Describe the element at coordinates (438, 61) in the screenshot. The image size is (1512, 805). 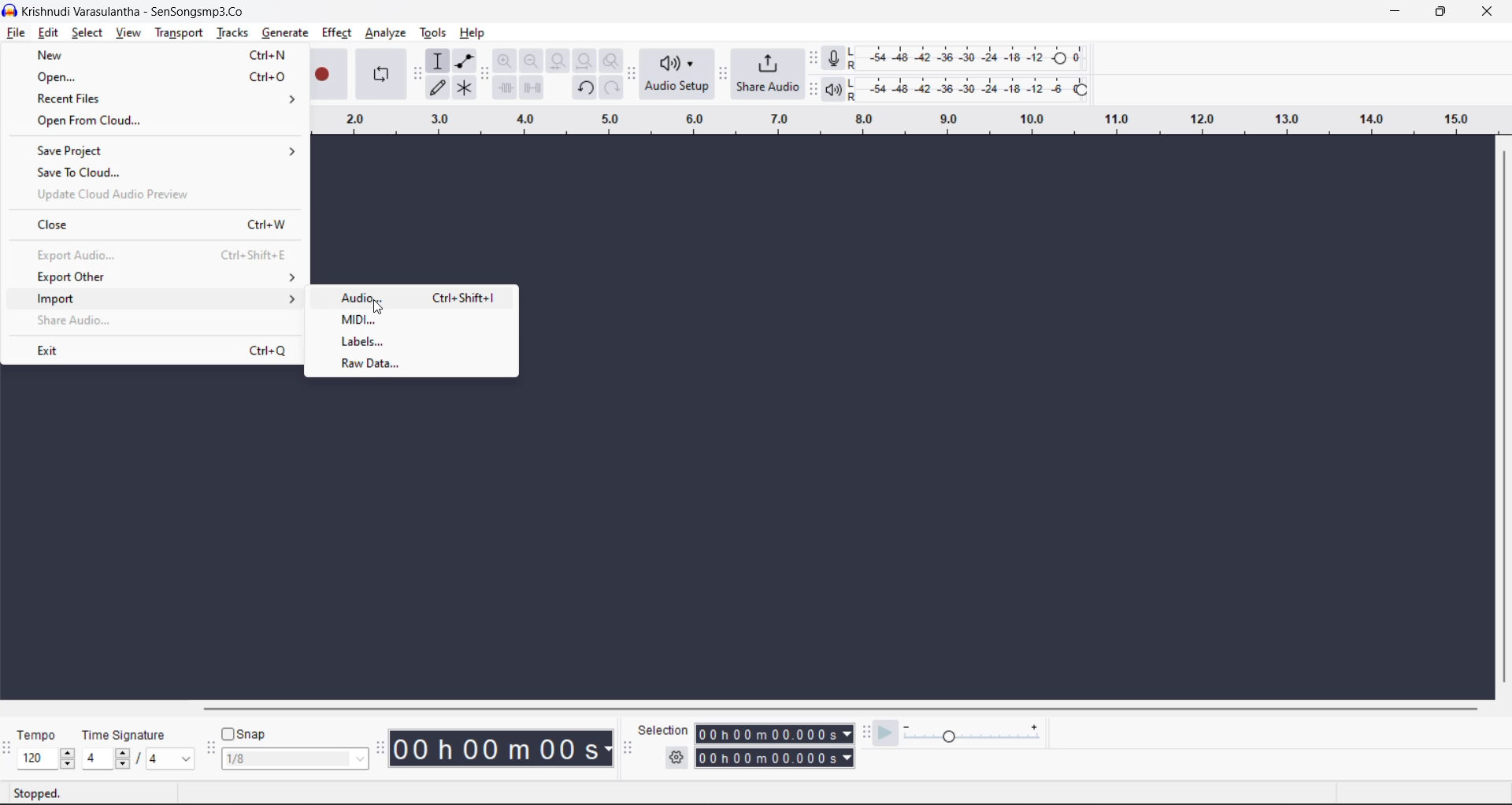
I see `selection tool` at that location.